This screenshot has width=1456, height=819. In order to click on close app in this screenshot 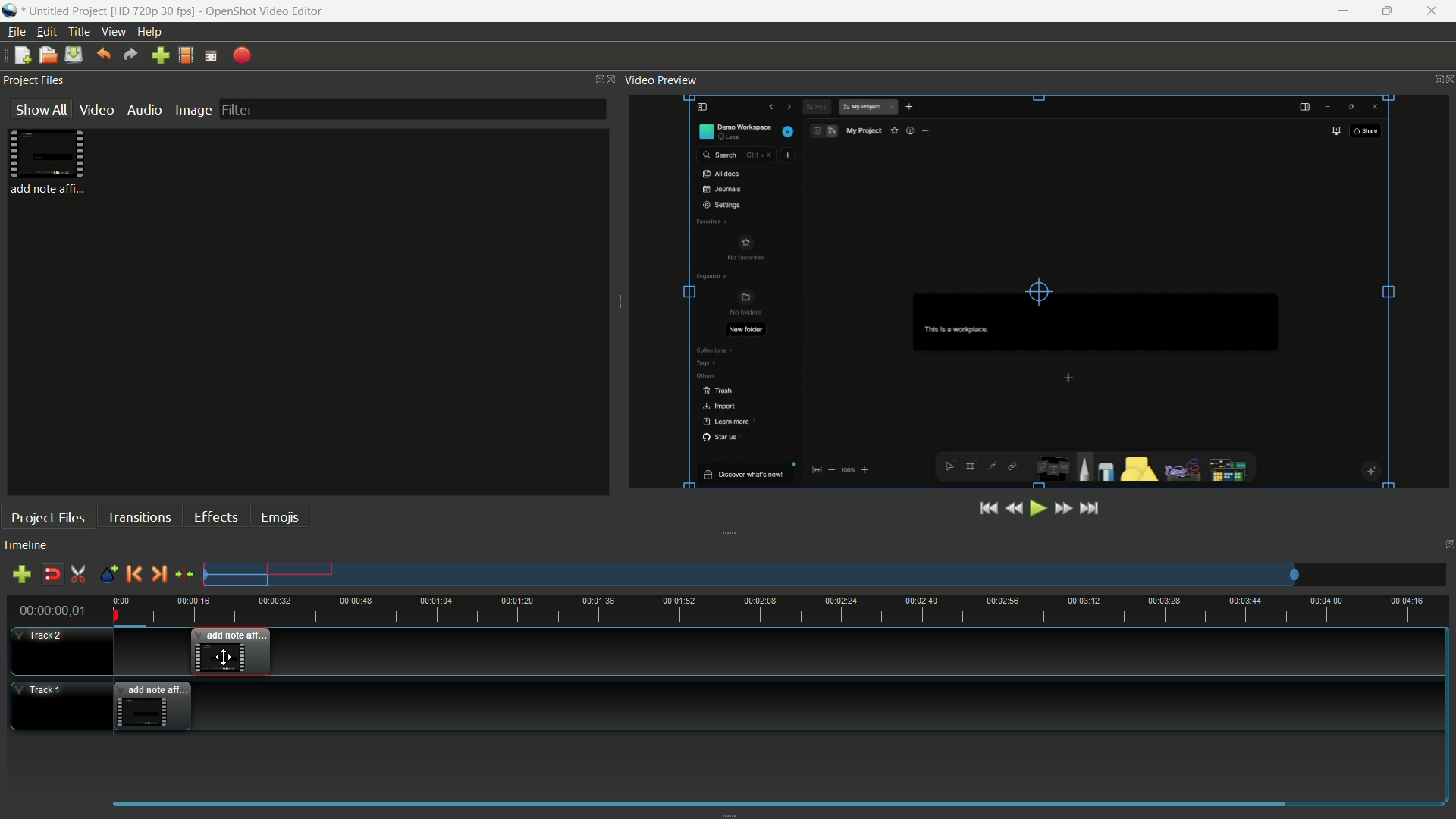, I will do `click(1434, 11)`.